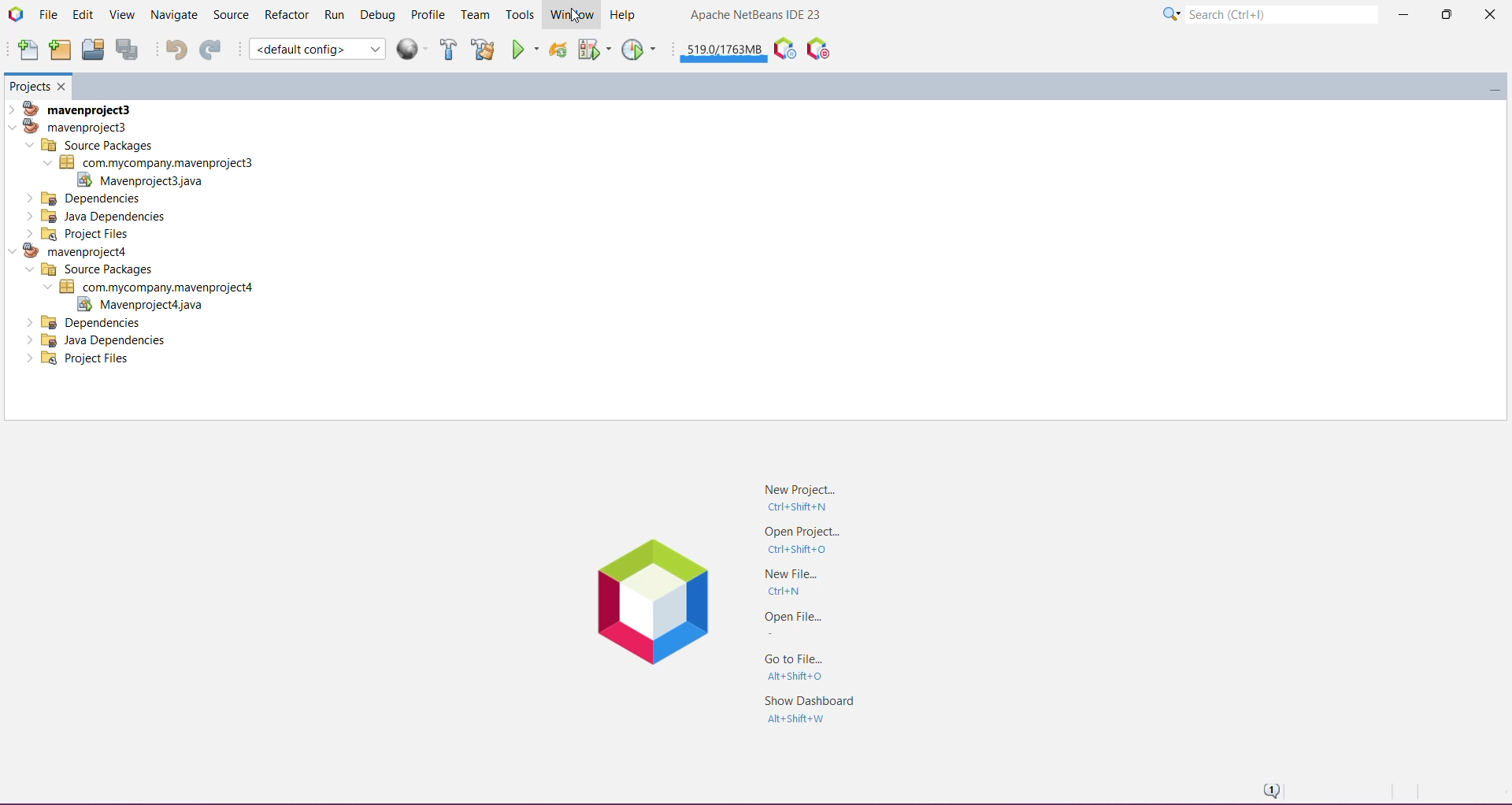 The height and width of the screenshot is (805, 1512). Describe the element at coordinates (476, 15) in the screenshot. I see `Teams` at that location.